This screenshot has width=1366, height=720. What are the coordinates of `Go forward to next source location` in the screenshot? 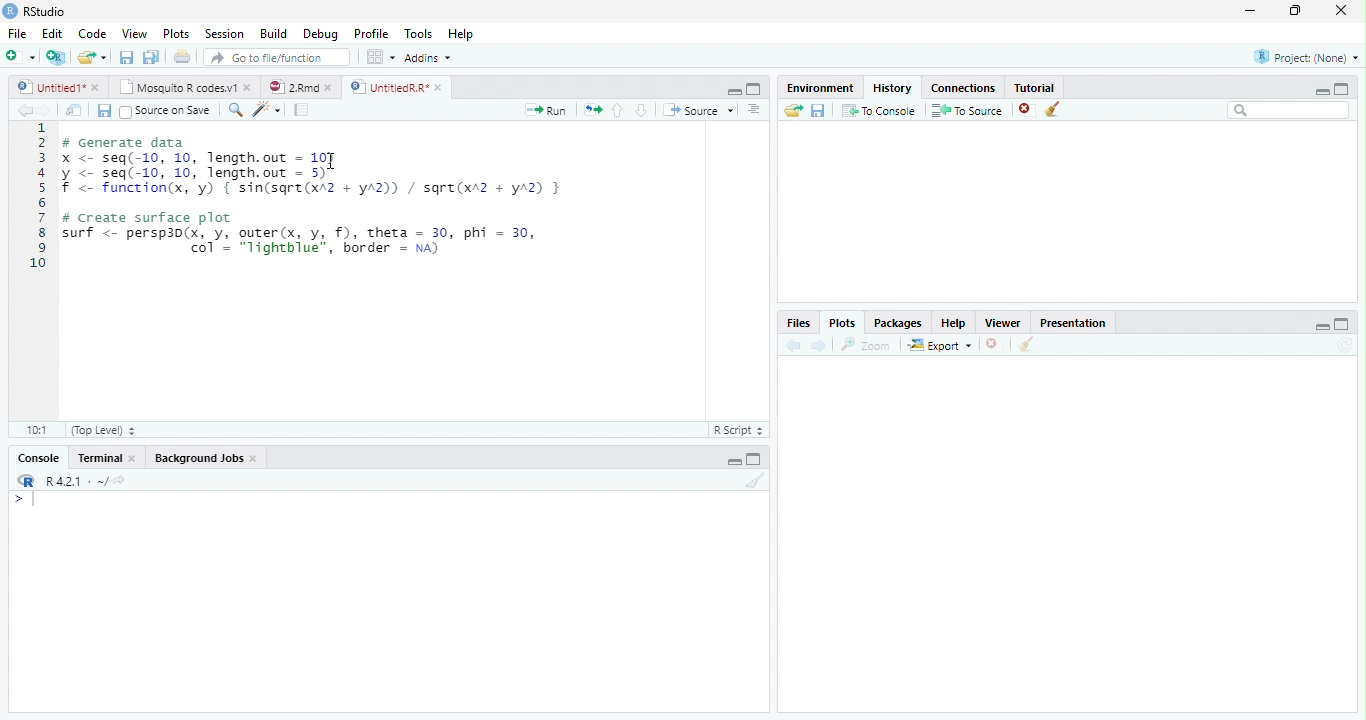 It's located at (45, 111).